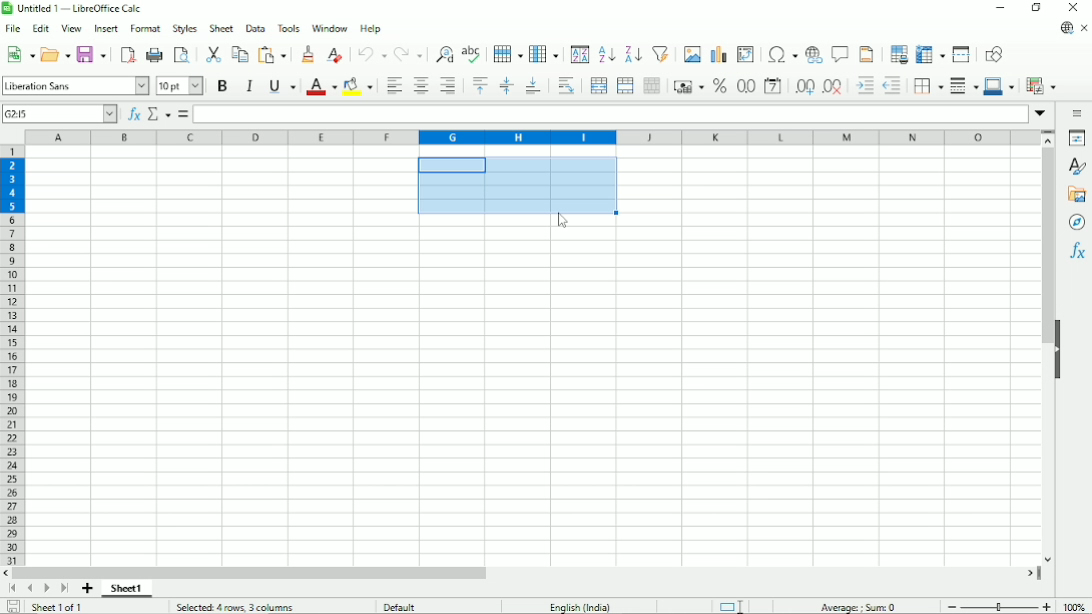 This screenshot has height=614, width=1092. Describe the element at coordinates (290, 28) in the screenshot. I see `Tools` at that location.